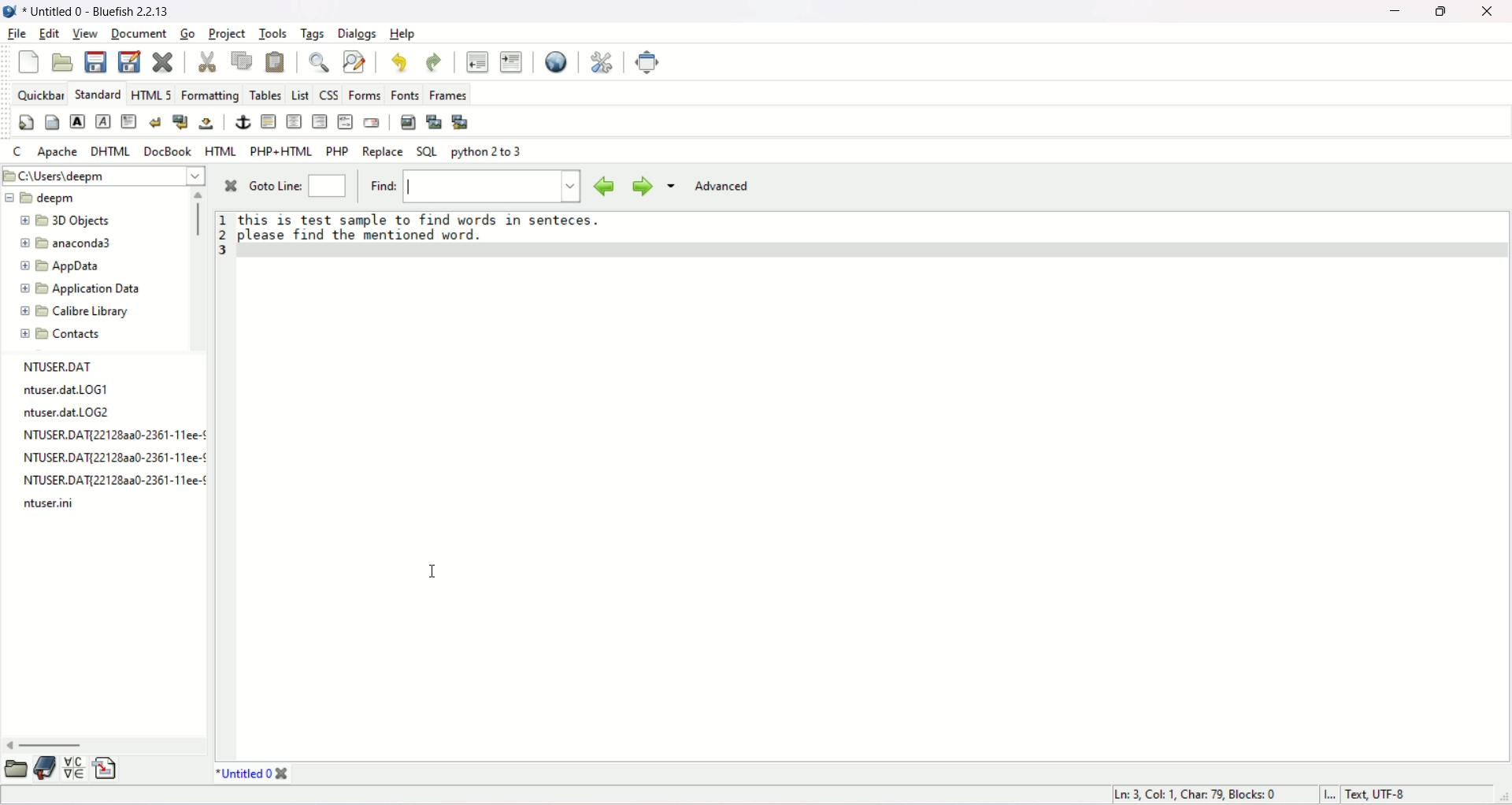  What do you see at coordinates (151, 94) in the screenshot?
I see `HTML 5` at bounding box center [151, 94].